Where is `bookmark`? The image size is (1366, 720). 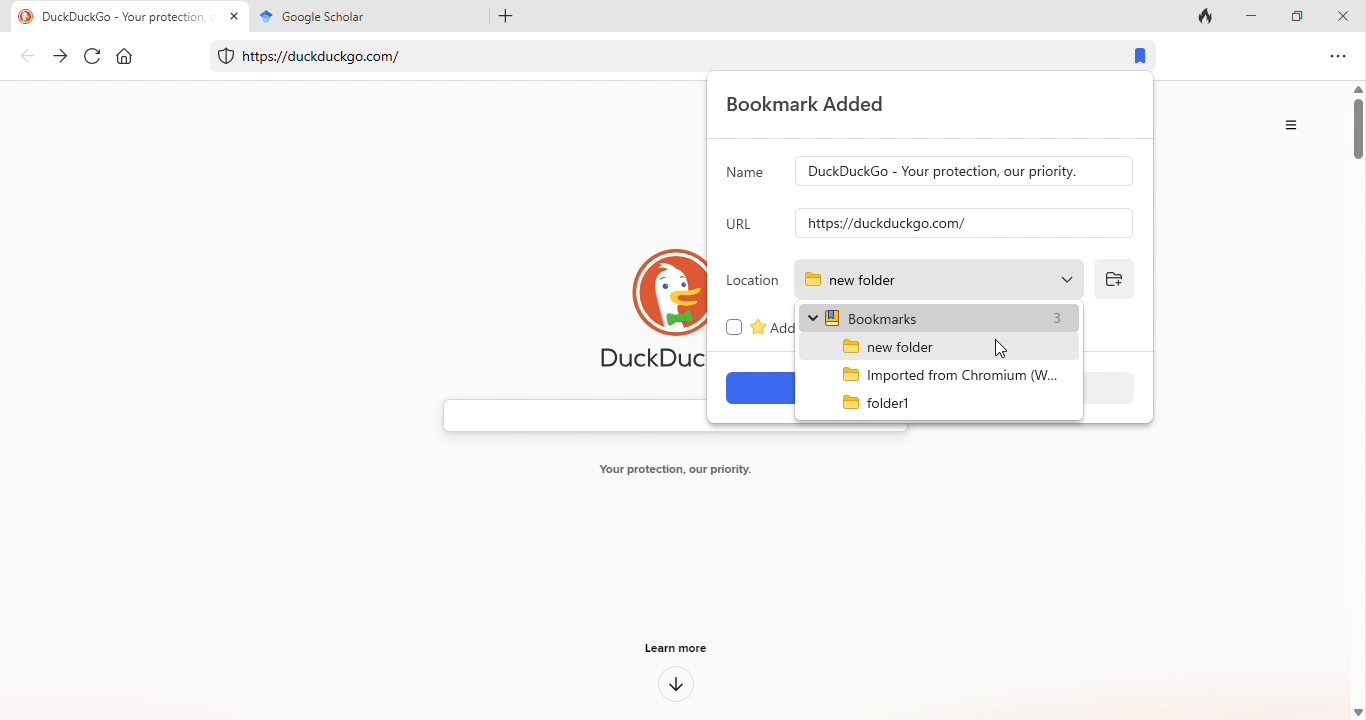
bookmark is located at coordinates (1134, 57).